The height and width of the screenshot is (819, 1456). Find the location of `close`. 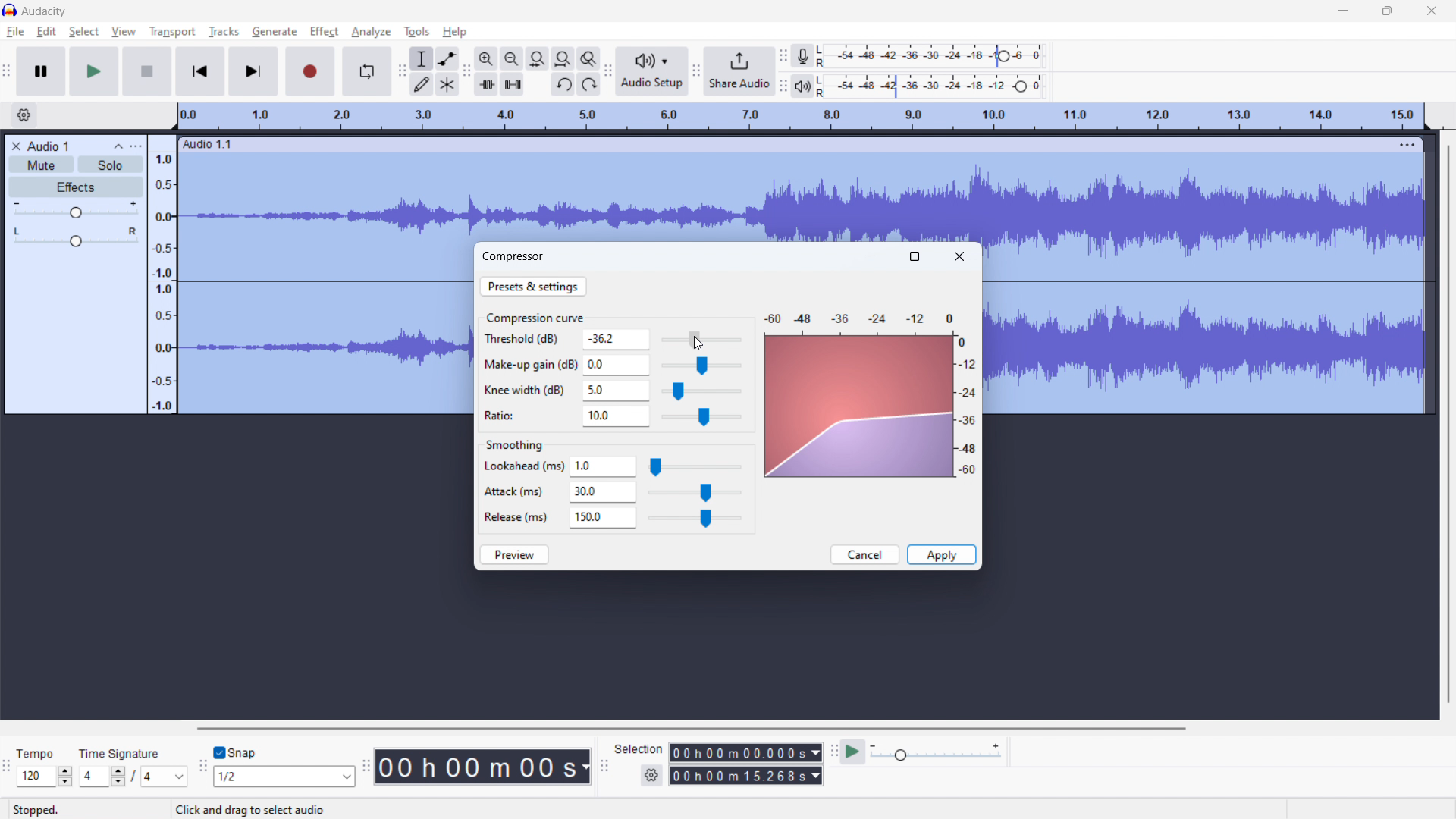

close is located at coordinates (959, 256).